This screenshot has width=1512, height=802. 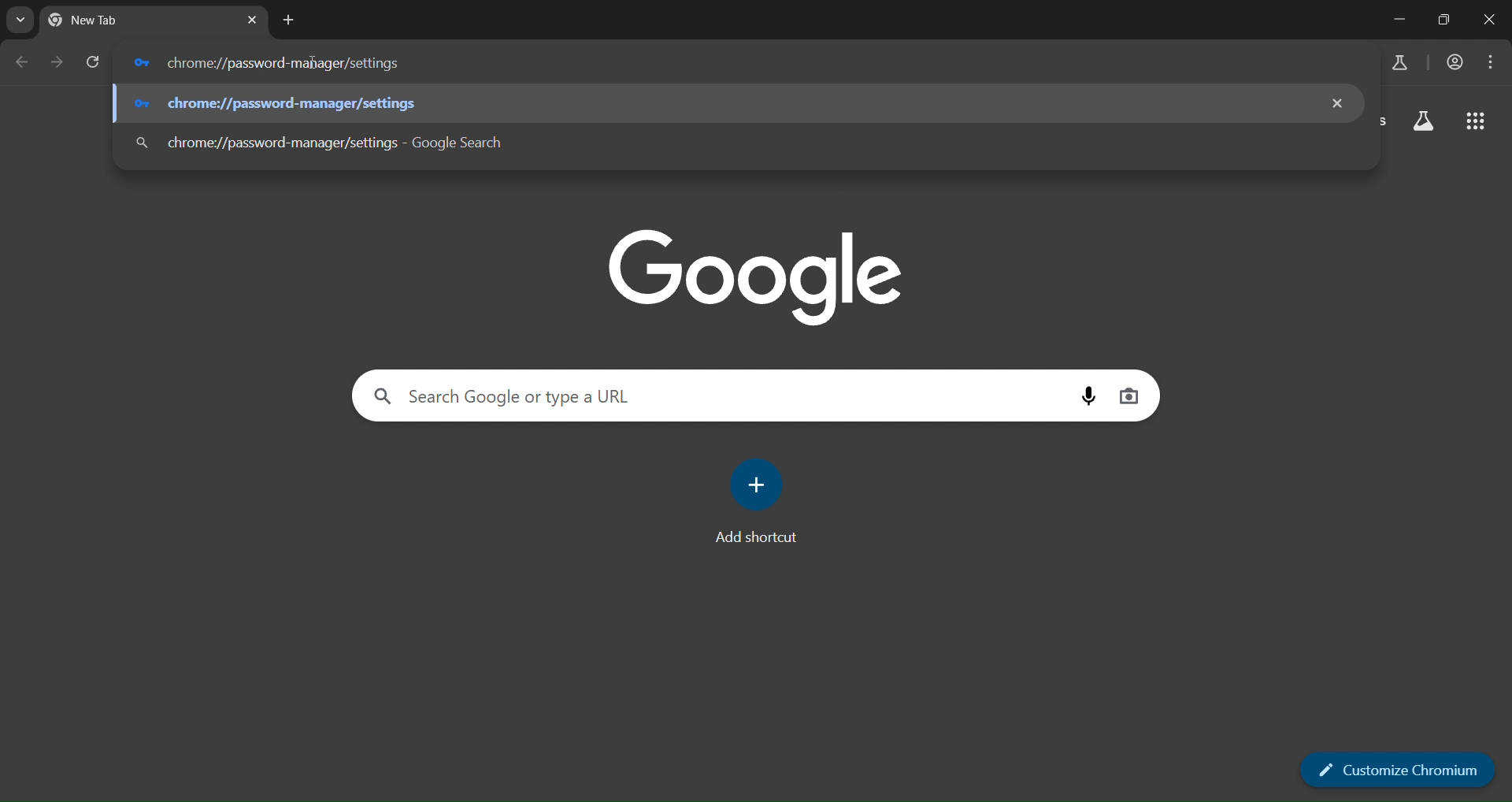 I want to click on Google, so click(x=755, y=273).